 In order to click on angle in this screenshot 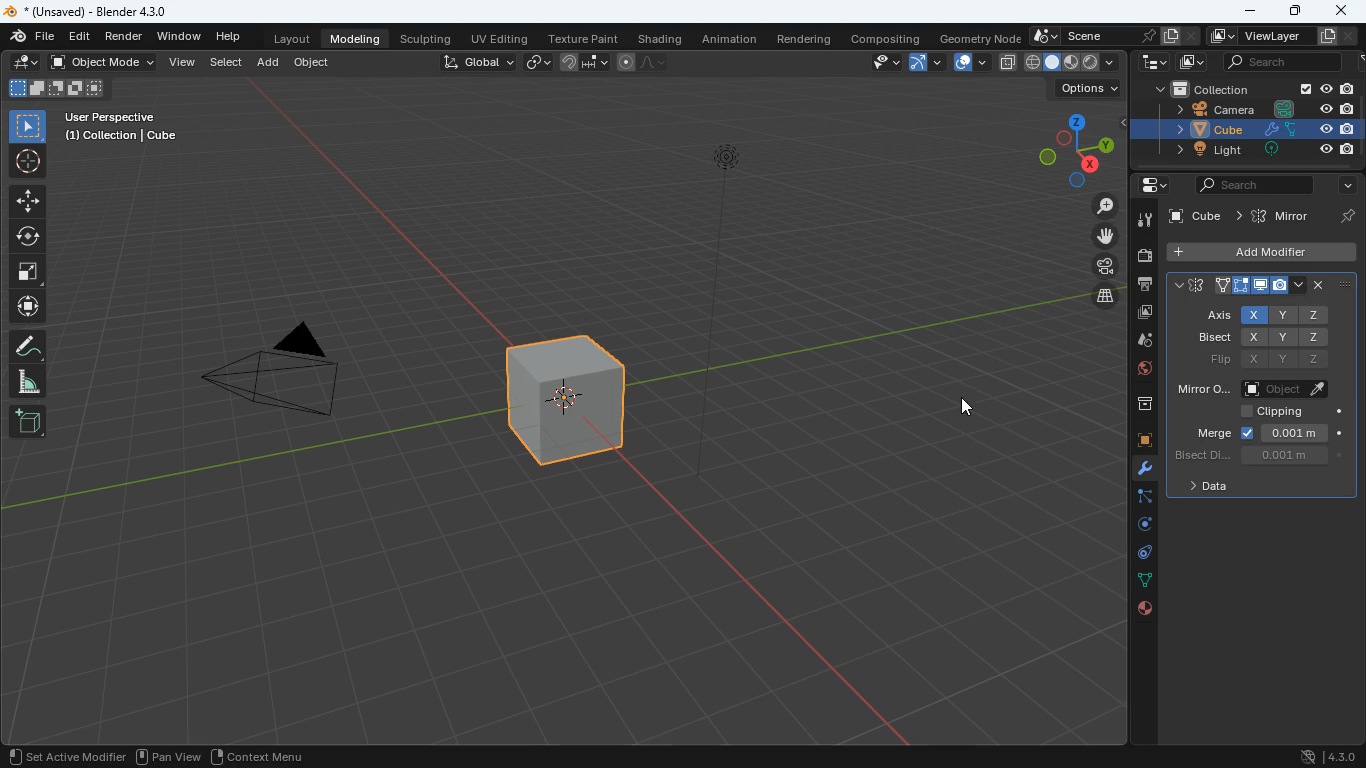, I will do `click(23, 381)`.